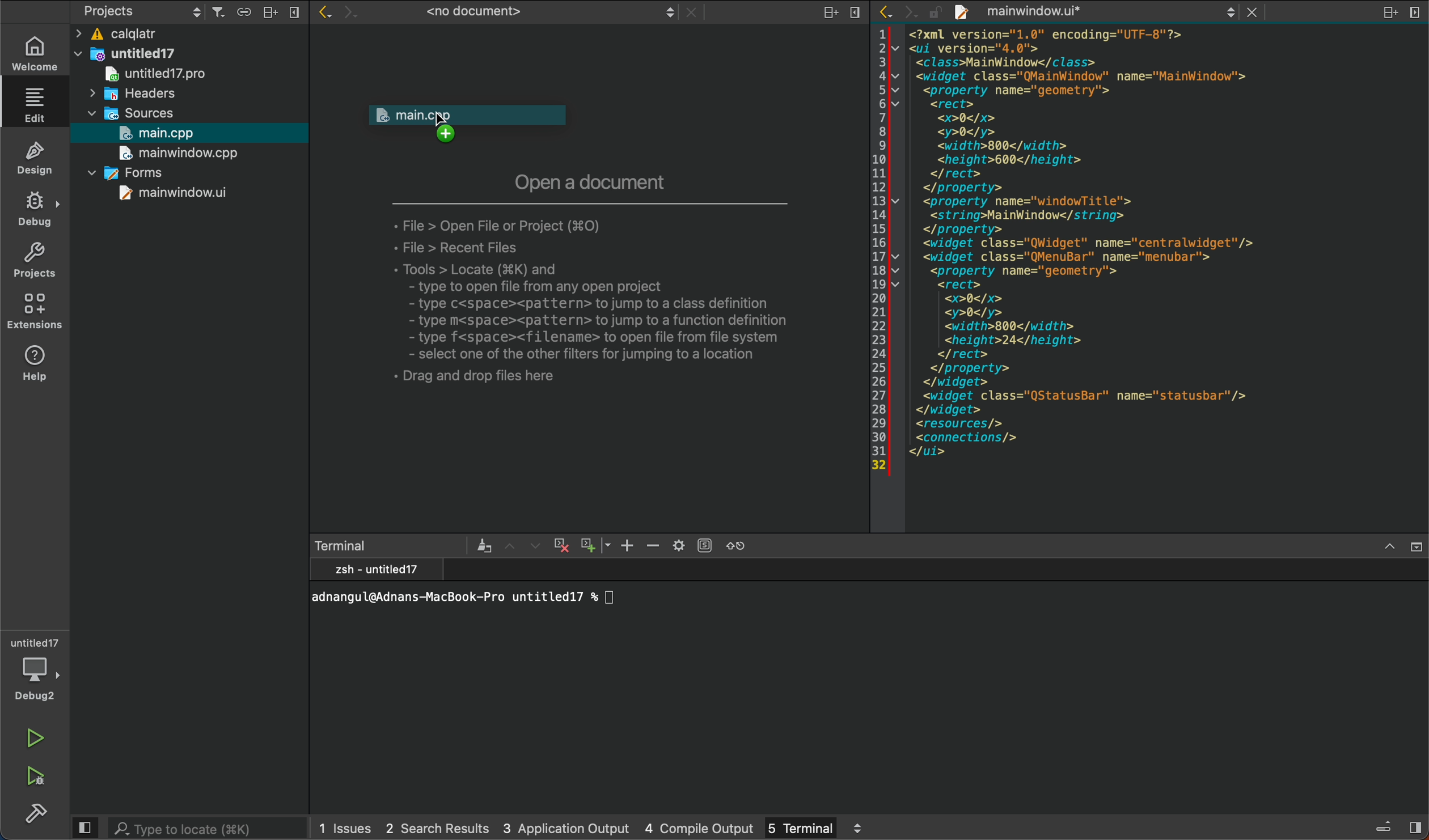 The width and height of the screenshot is (1429, 840). Describe the element at coordinates (481, 126) in the screenshot. I see `file to be dragged` at that location.